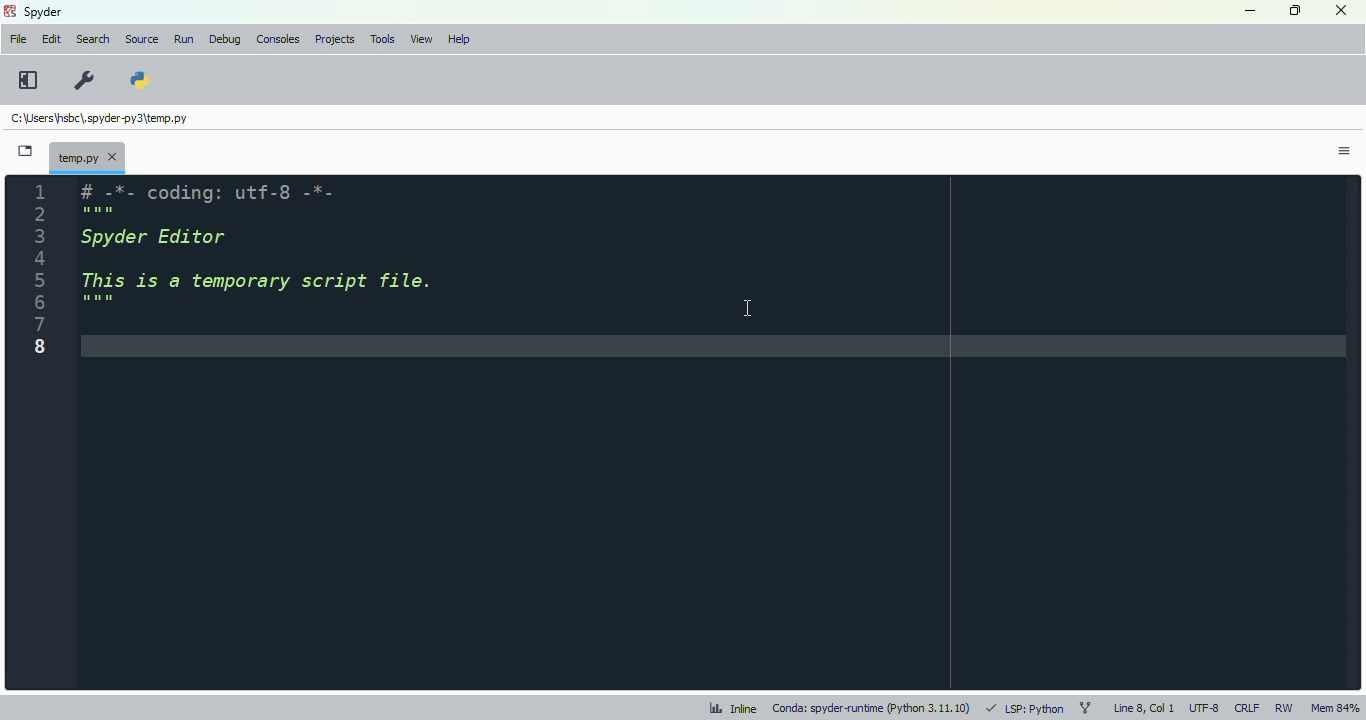 The image size is (1366, 720). What do you see at coordinates (1144, 707) in the screenshot?
I see `line 8, col 8` at bounding box center [1144, 707].